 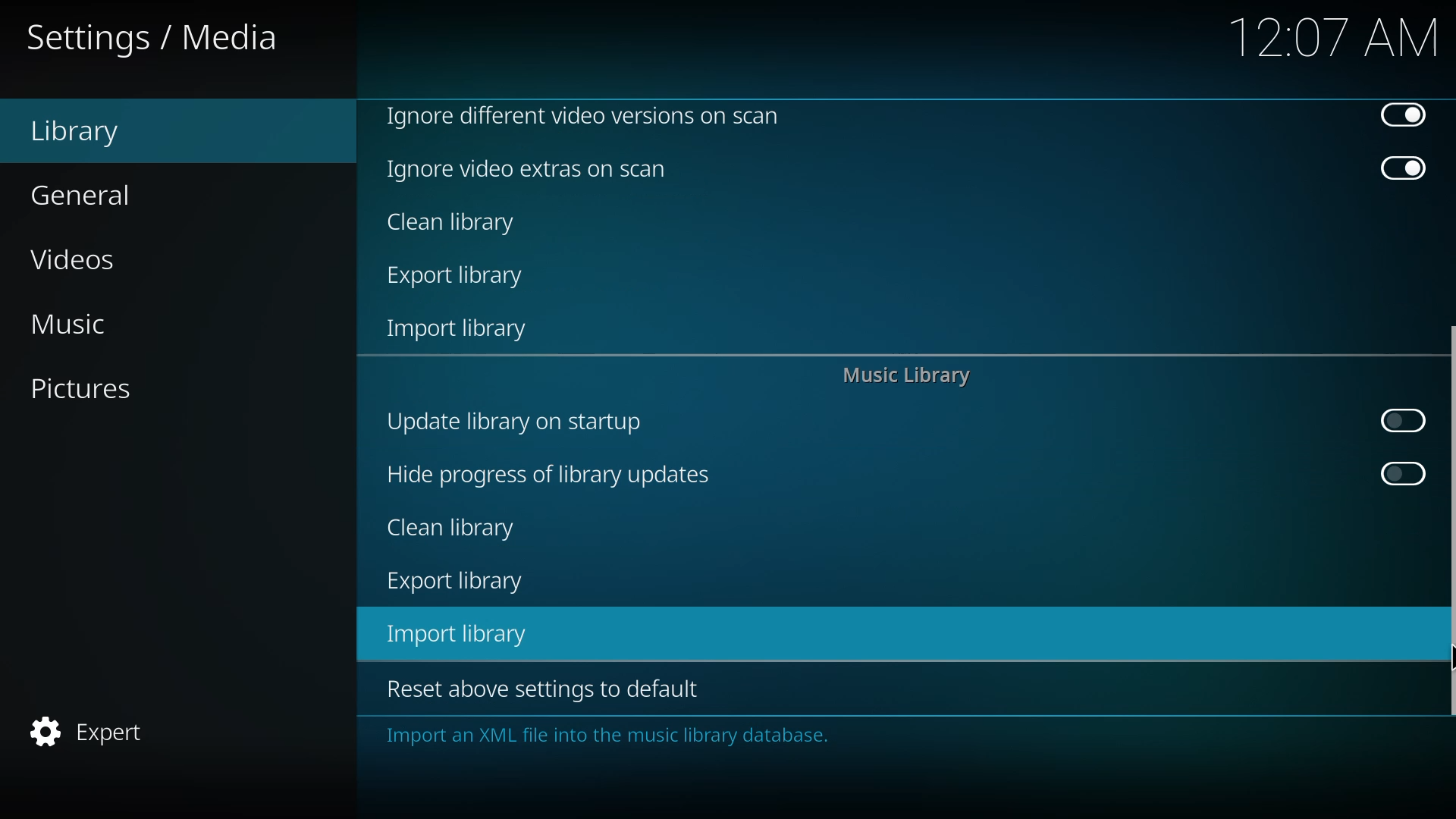 I want to click on time, so click(x=1335, y=36).